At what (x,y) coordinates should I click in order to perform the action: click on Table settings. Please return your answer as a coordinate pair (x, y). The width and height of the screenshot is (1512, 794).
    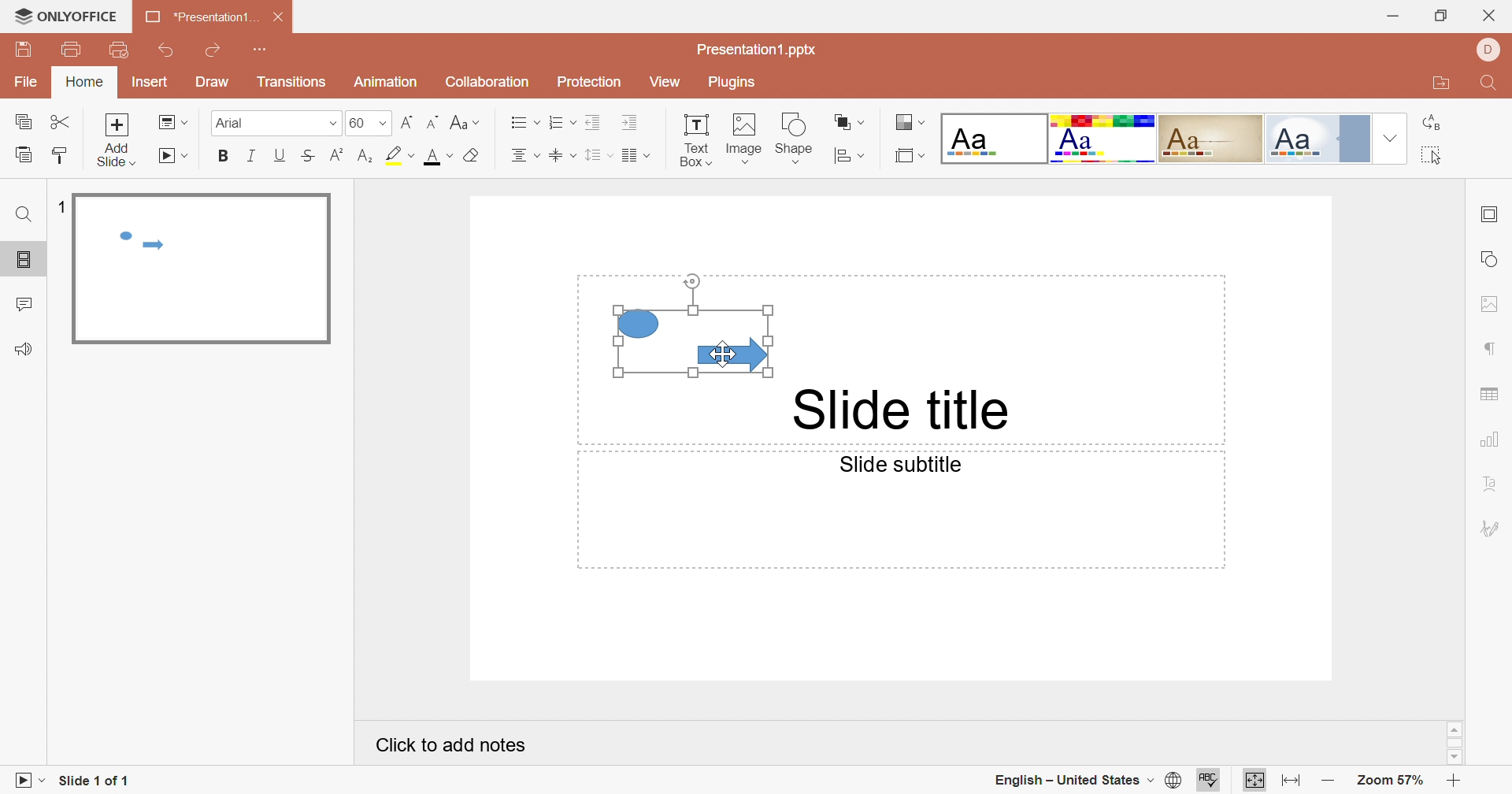
    Looking at the image, I should click on (1492, 393).